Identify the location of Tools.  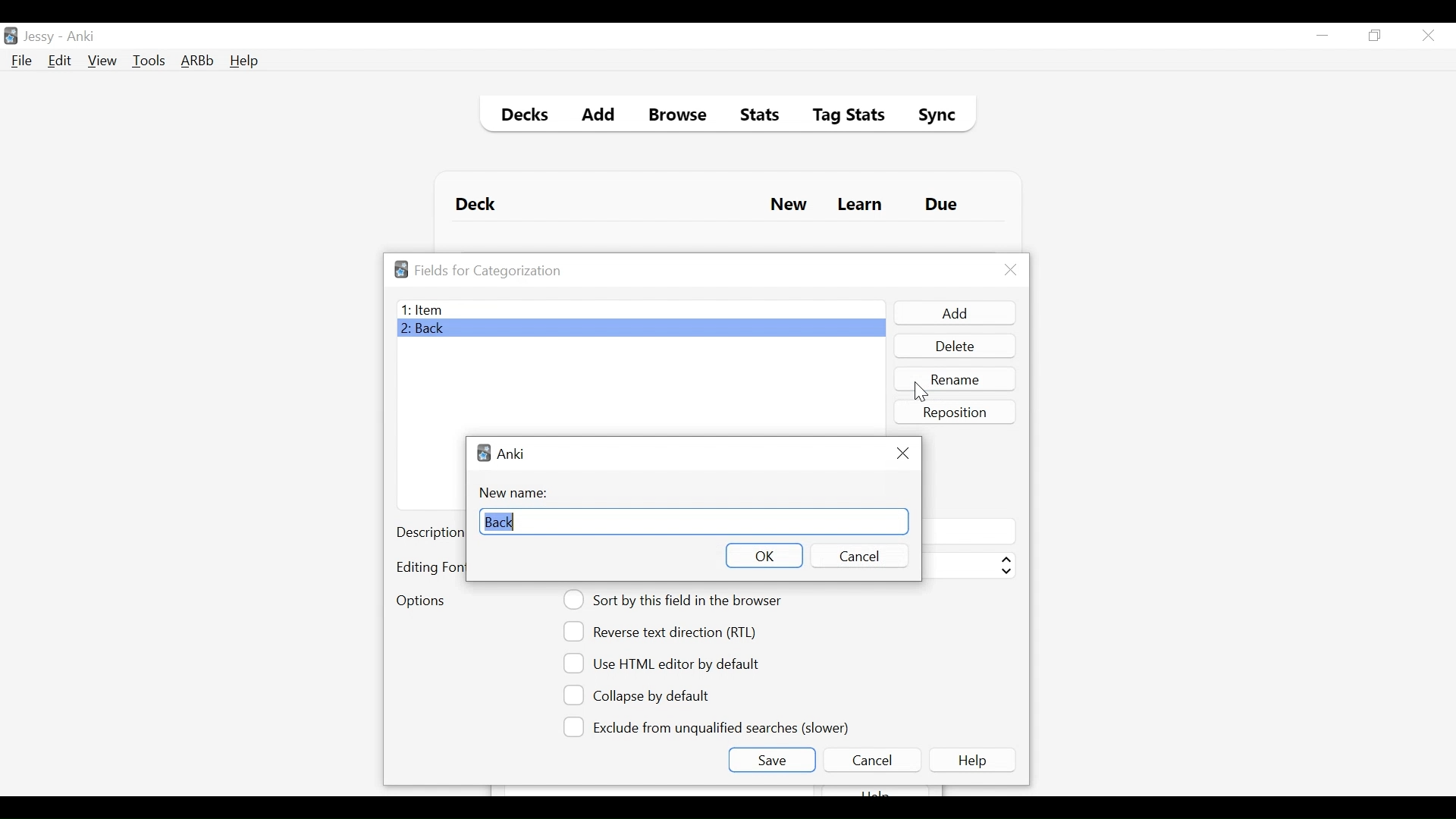
(149, 60).